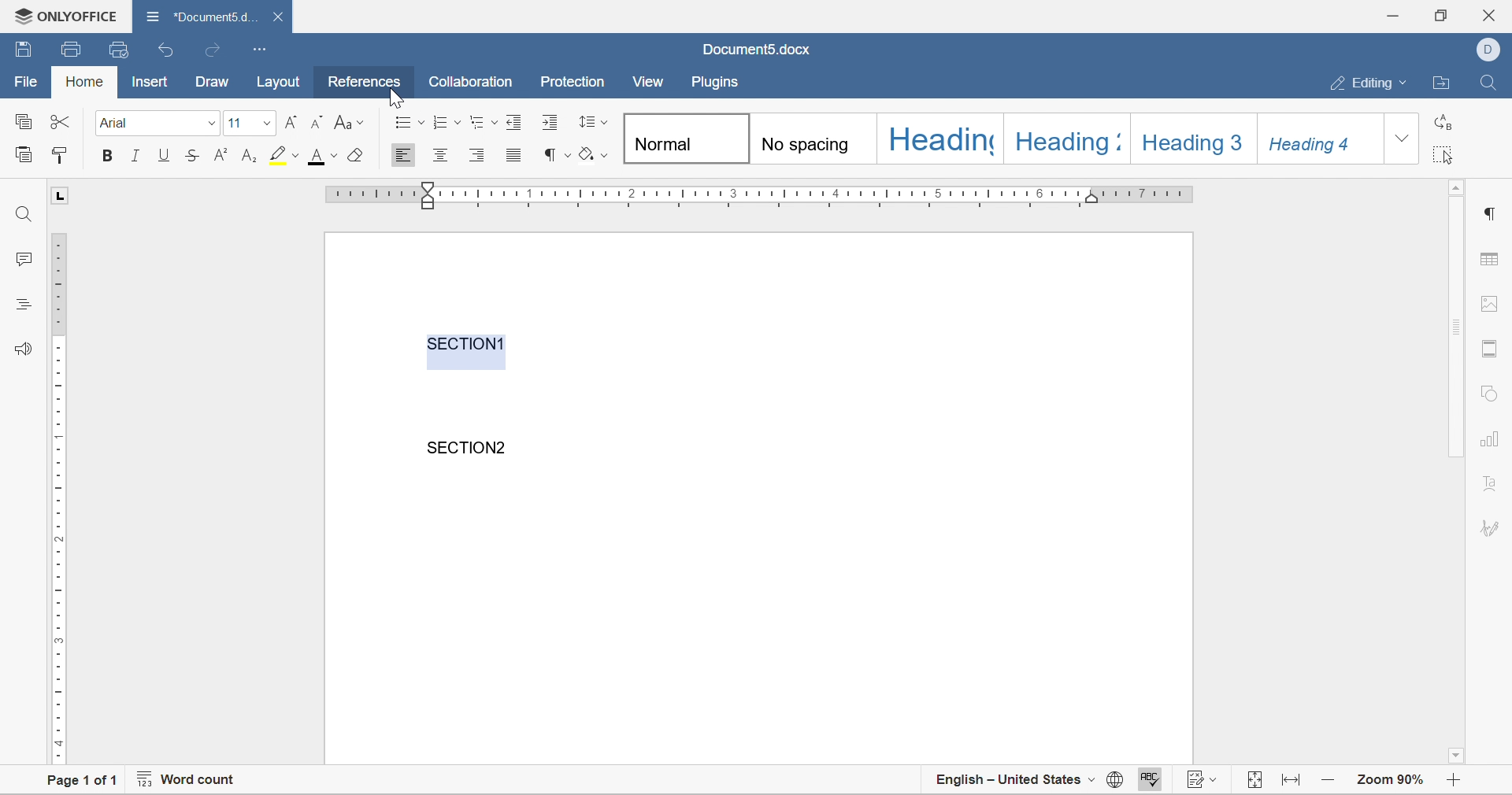  I want to click on line, so click(137, 154).